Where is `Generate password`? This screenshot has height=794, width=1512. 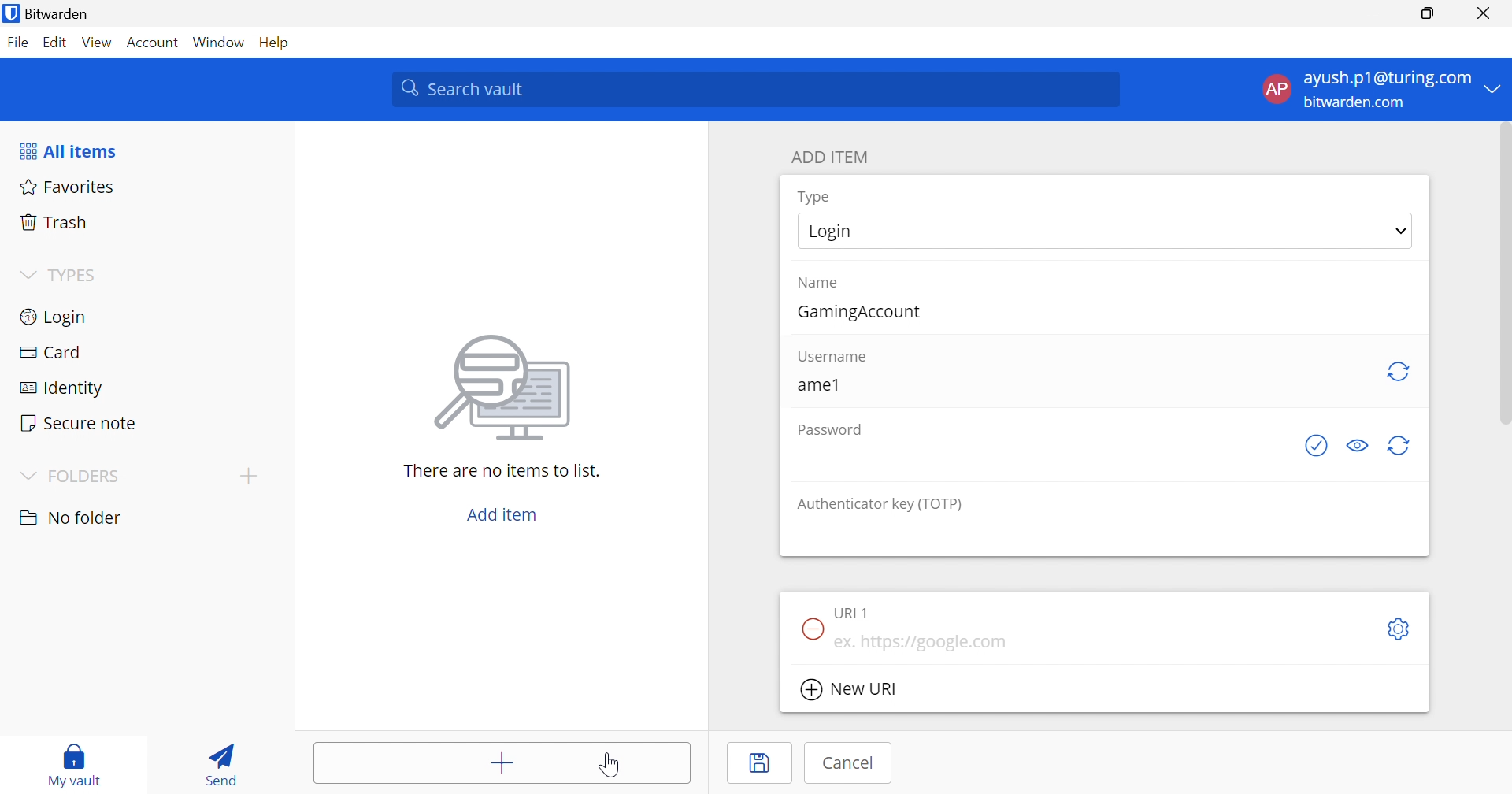 Generate password is located at coordinates (1319, 447).